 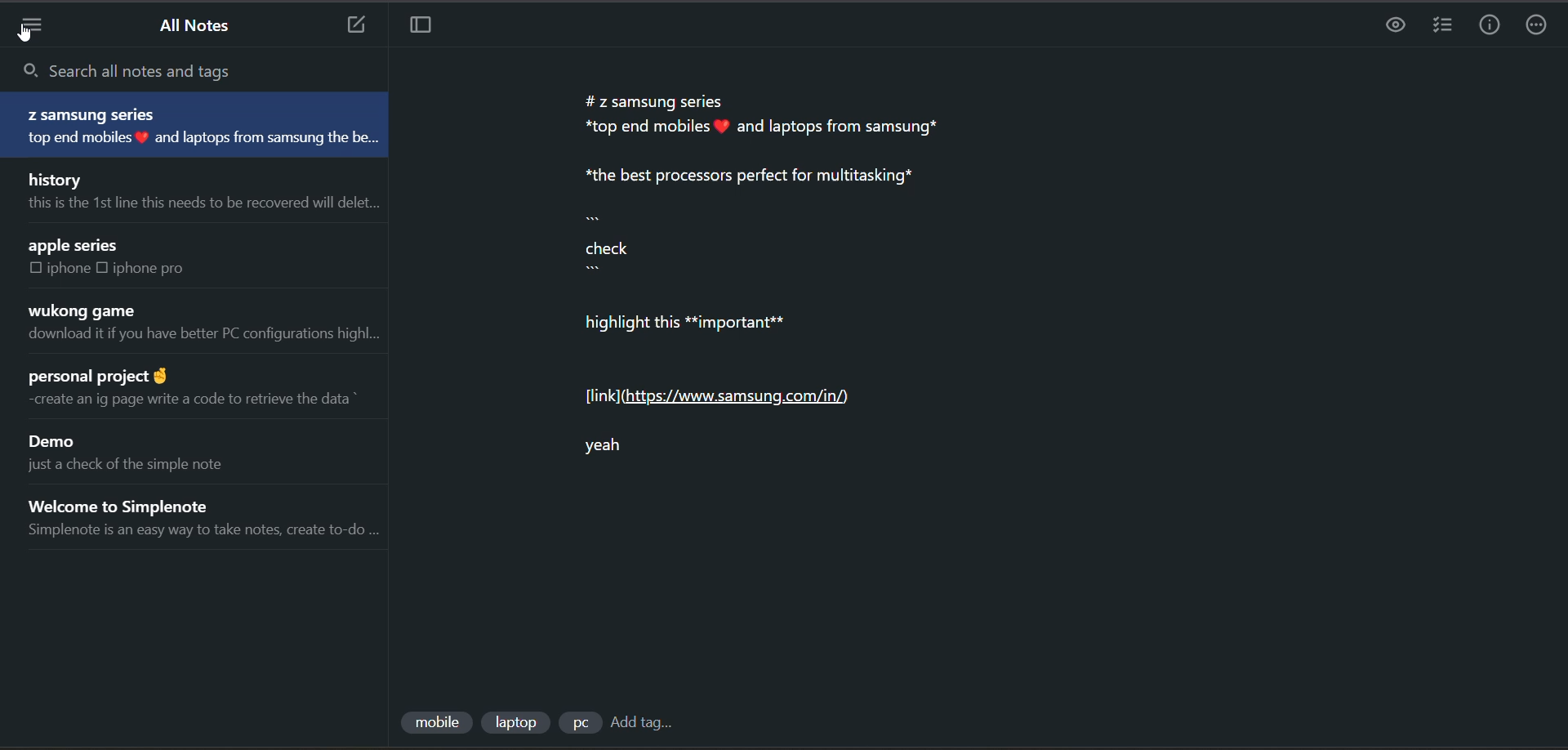 I want to click on add new note, so click(x=355, y=26).